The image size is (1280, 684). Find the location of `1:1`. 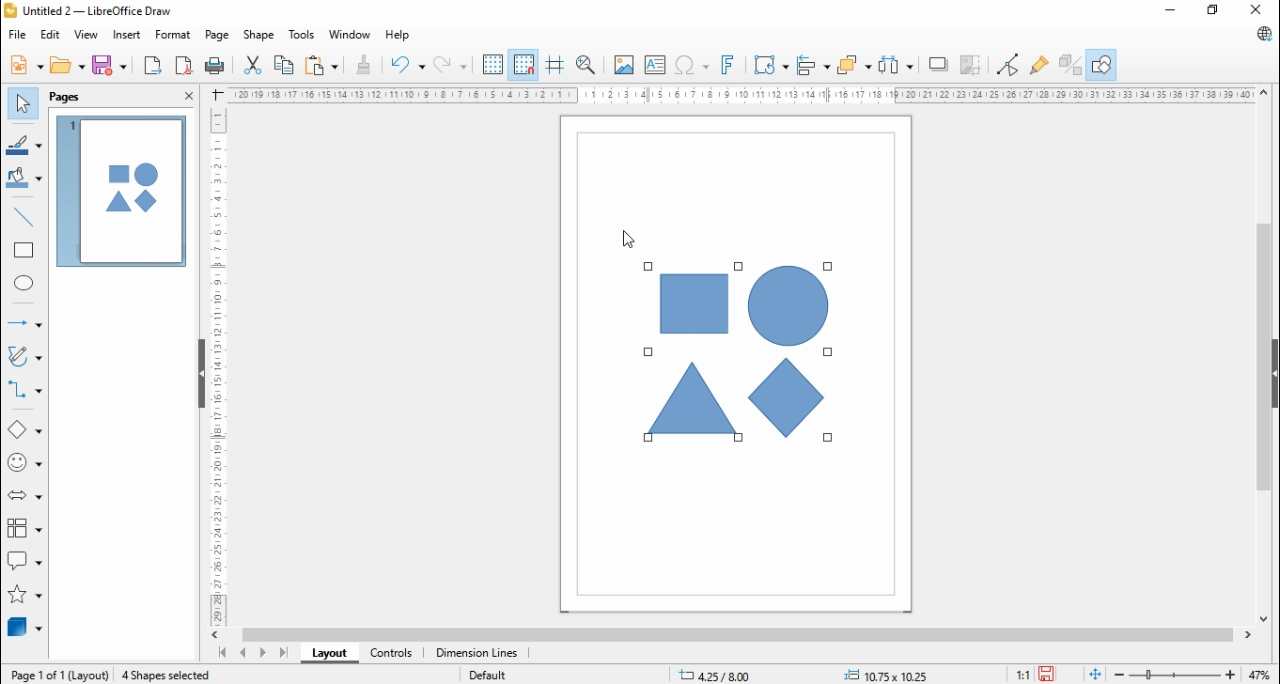

1:1 is located at coordinates (1023, 674).